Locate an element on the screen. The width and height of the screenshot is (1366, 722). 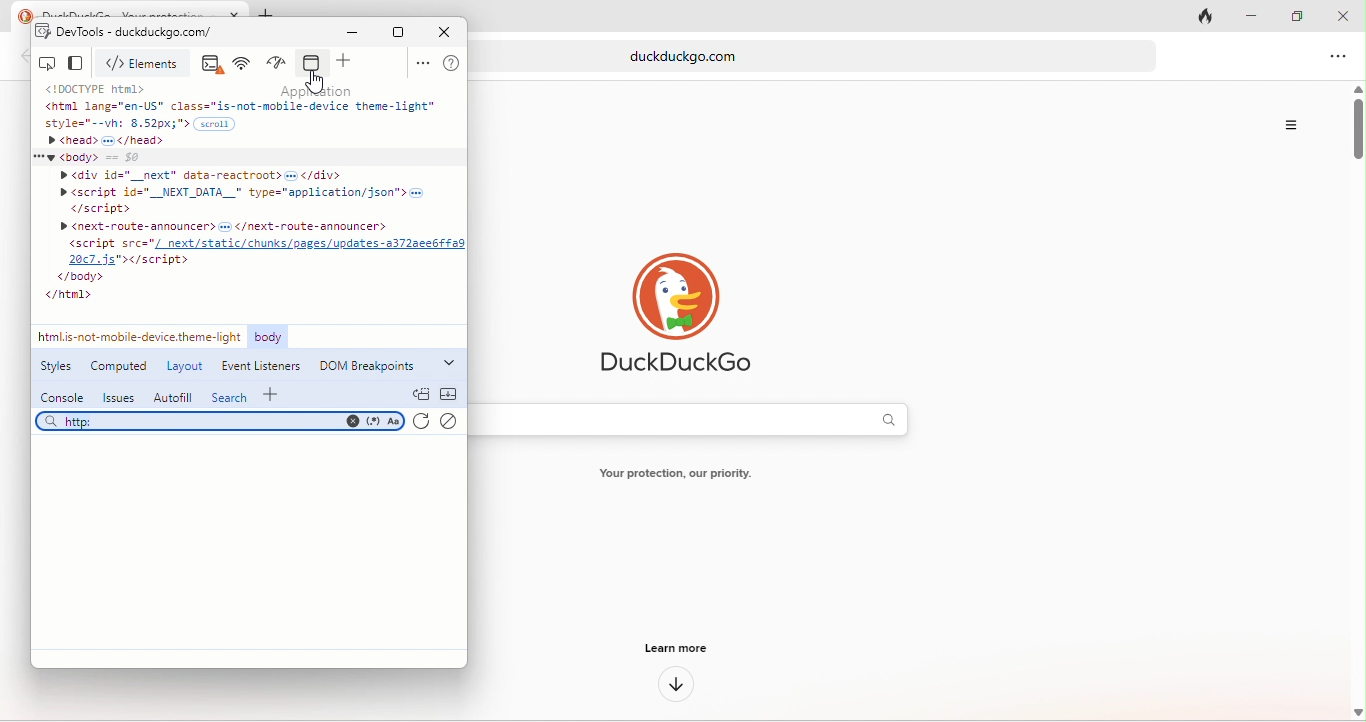
option is located at coordinates (1285, 122).